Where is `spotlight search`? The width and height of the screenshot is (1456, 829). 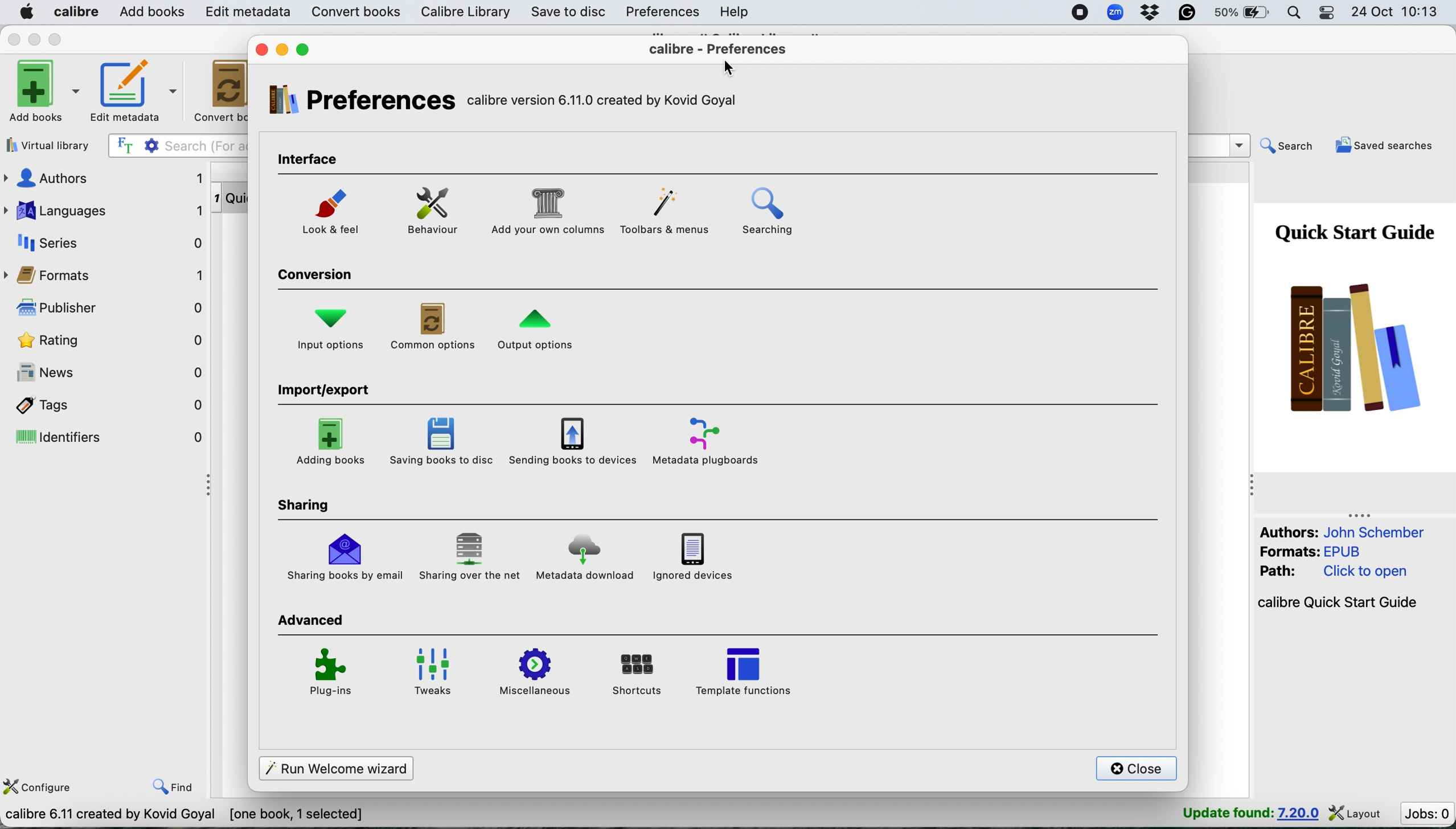
spotlight search is located at coordinates (1297, 14).